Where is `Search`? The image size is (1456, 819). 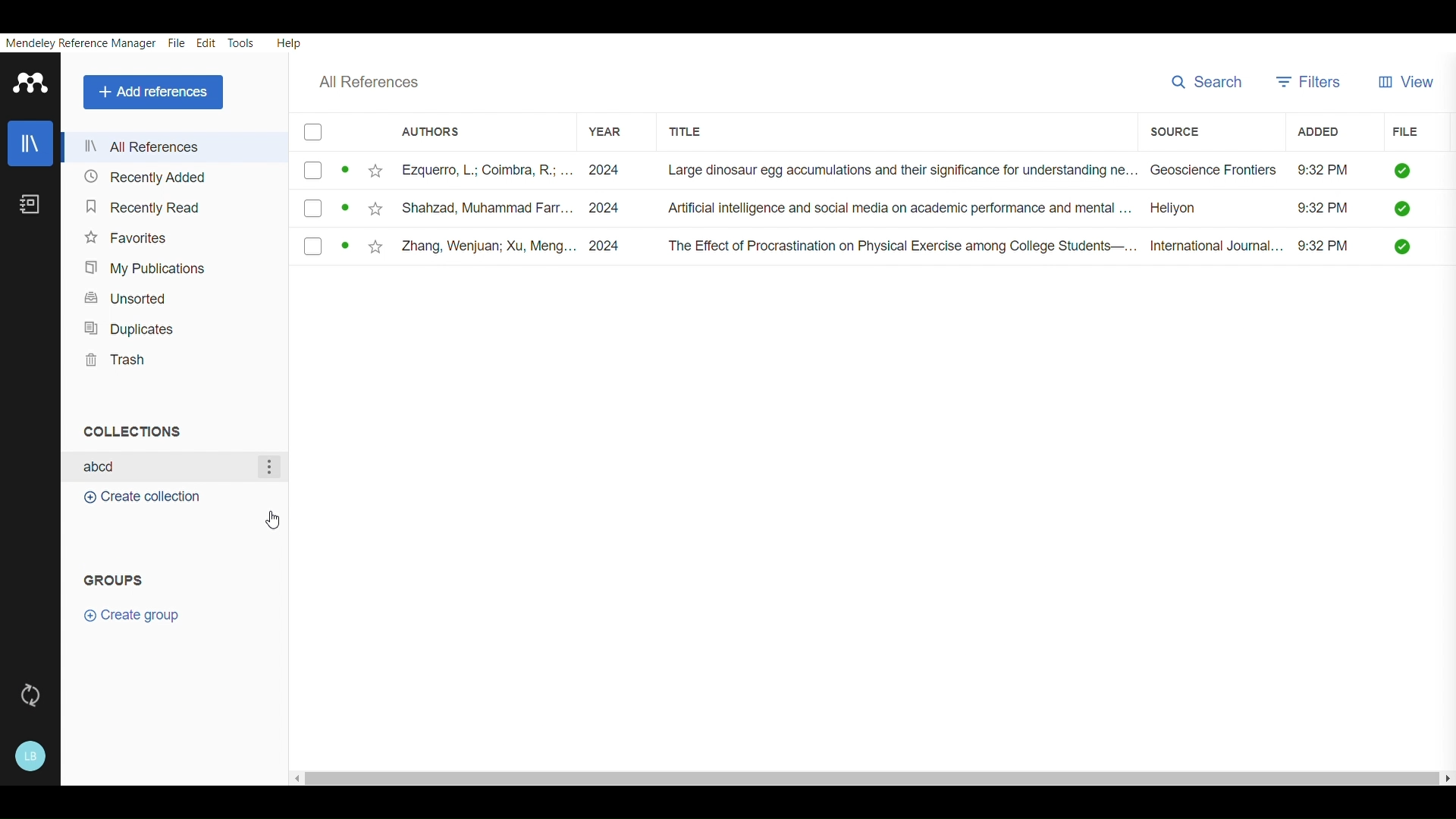
Search is located at coordinates (1207, 80).